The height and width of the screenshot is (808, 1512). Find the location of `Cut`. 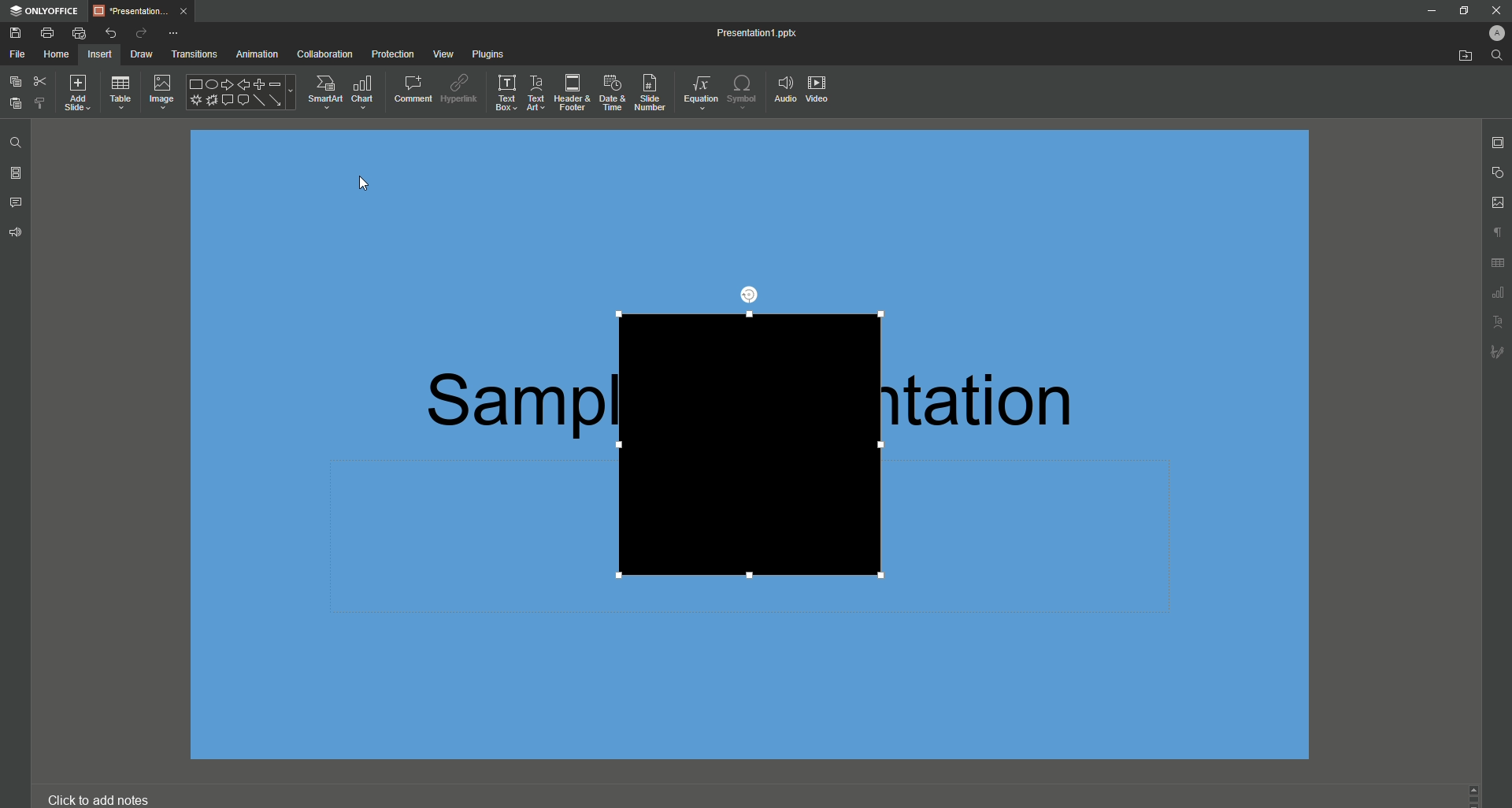

Cut is located at coordinates (40, 80).